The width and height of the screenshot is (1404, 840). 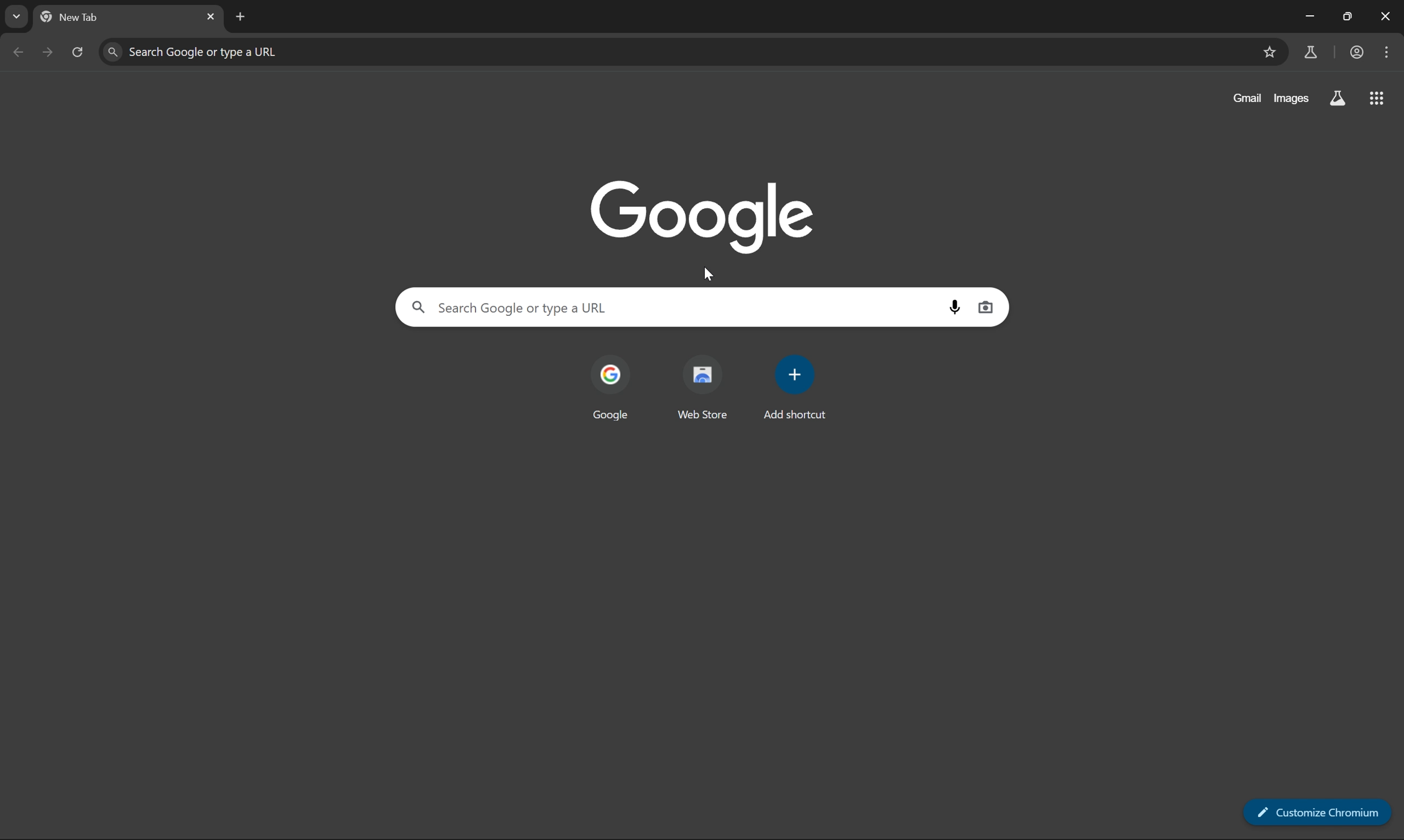 I want to click on images, so click(x=1294, y=97).